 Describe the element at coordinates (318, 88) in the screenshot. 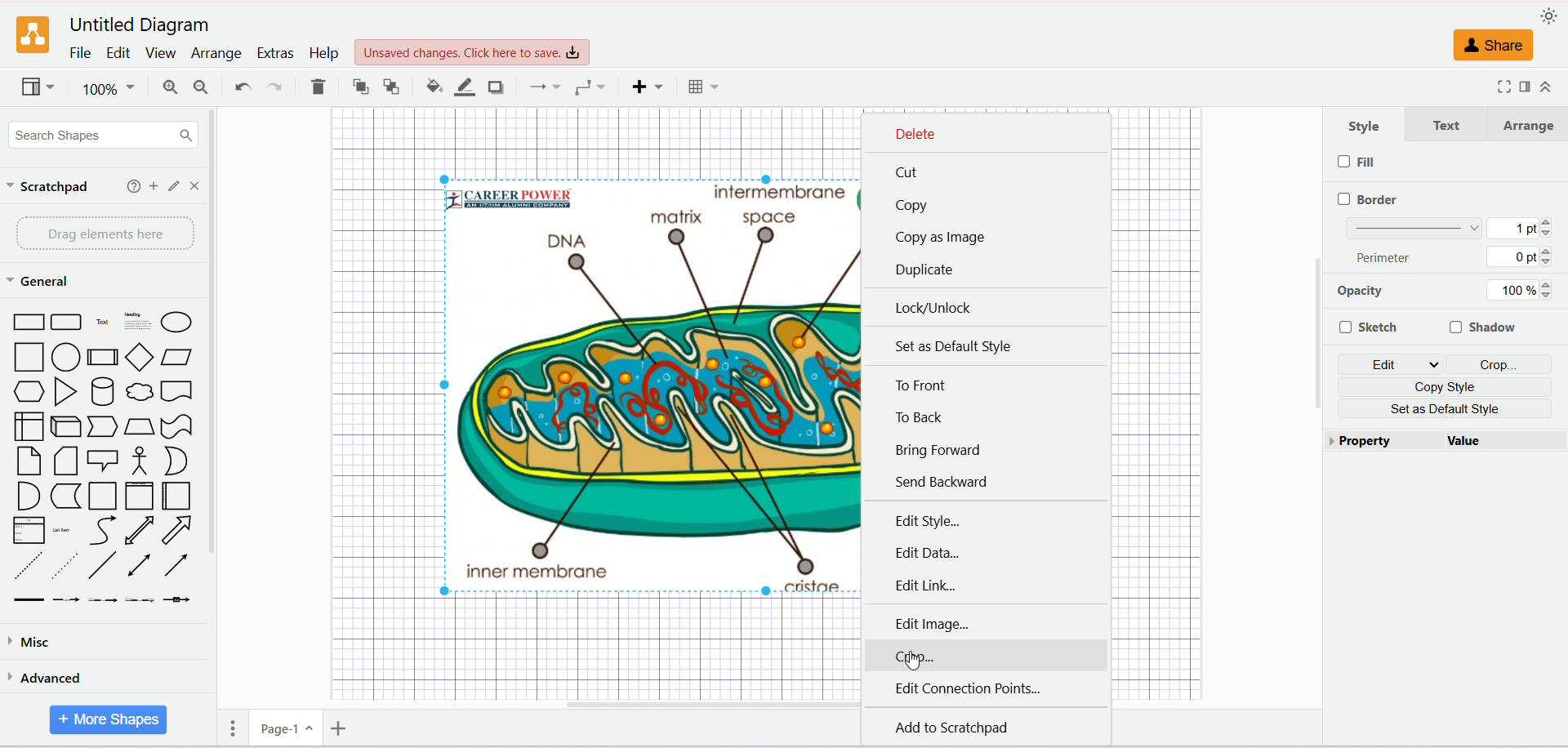

I see `delete` at that location.